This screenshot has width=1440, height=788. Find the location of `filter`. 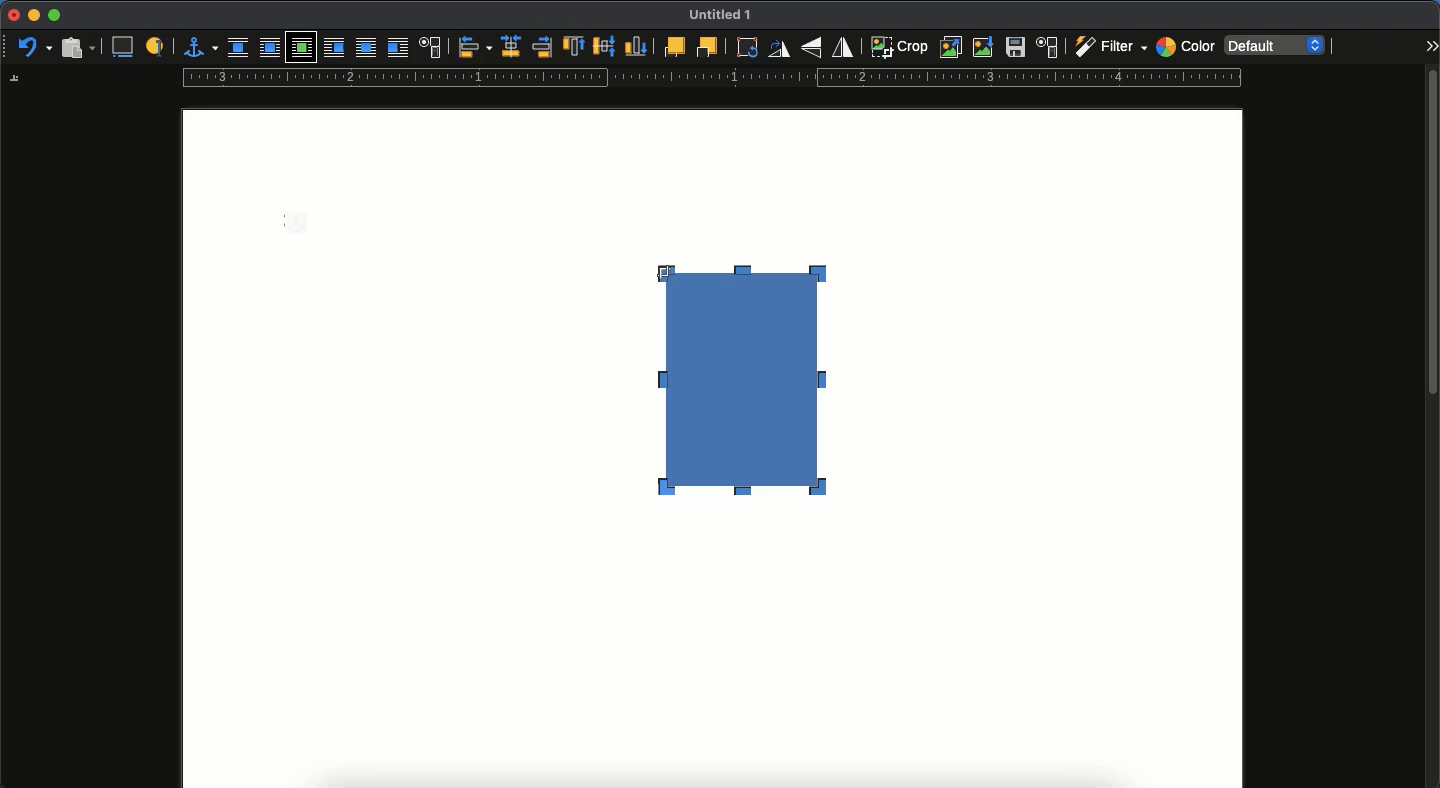

filter is located at coordinates (1109, 47).